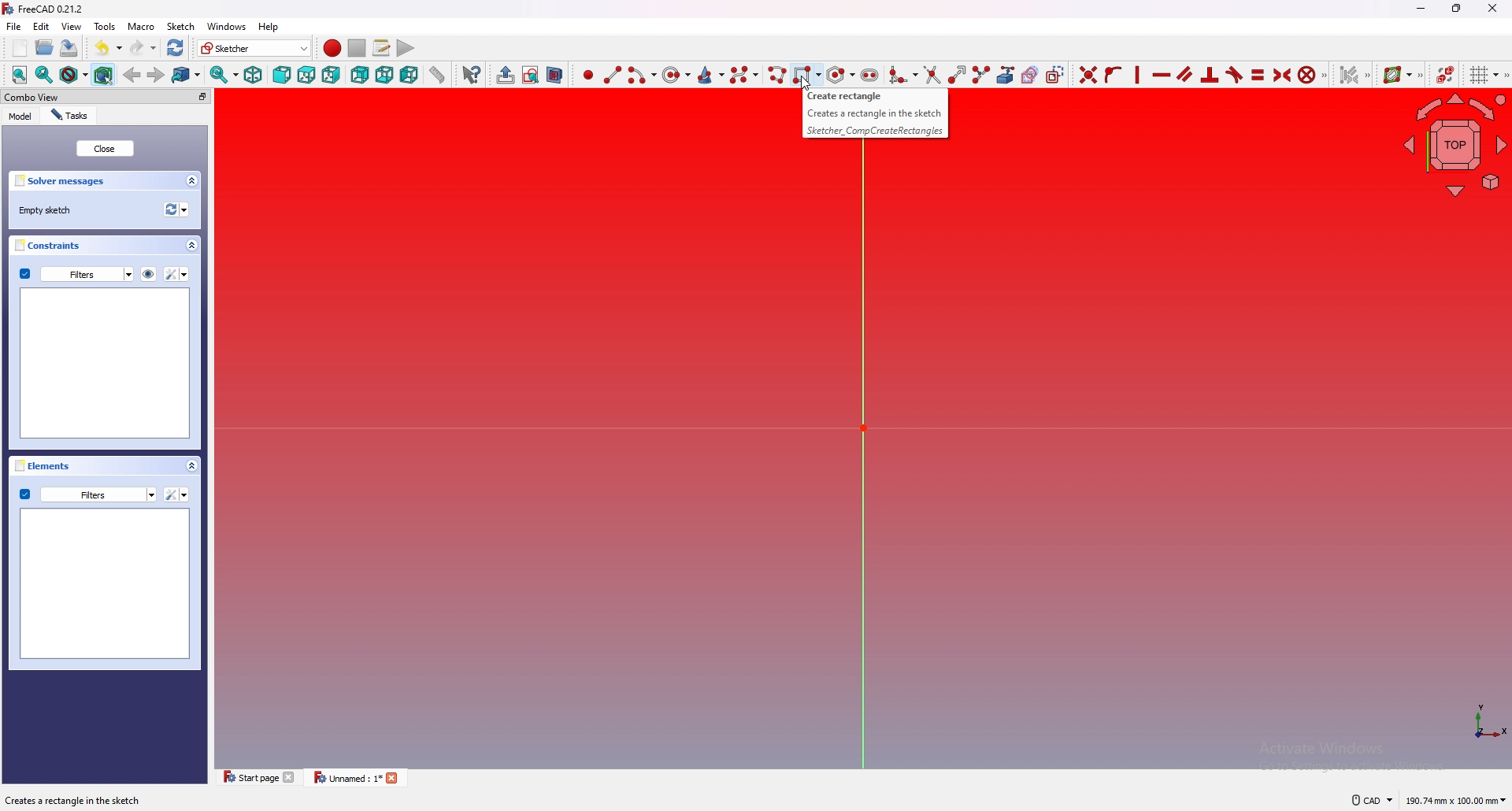 Image resolution: width=1512 pixels, height=811 pixels. I want to click on Creates a rectangle, so click(846, 98).